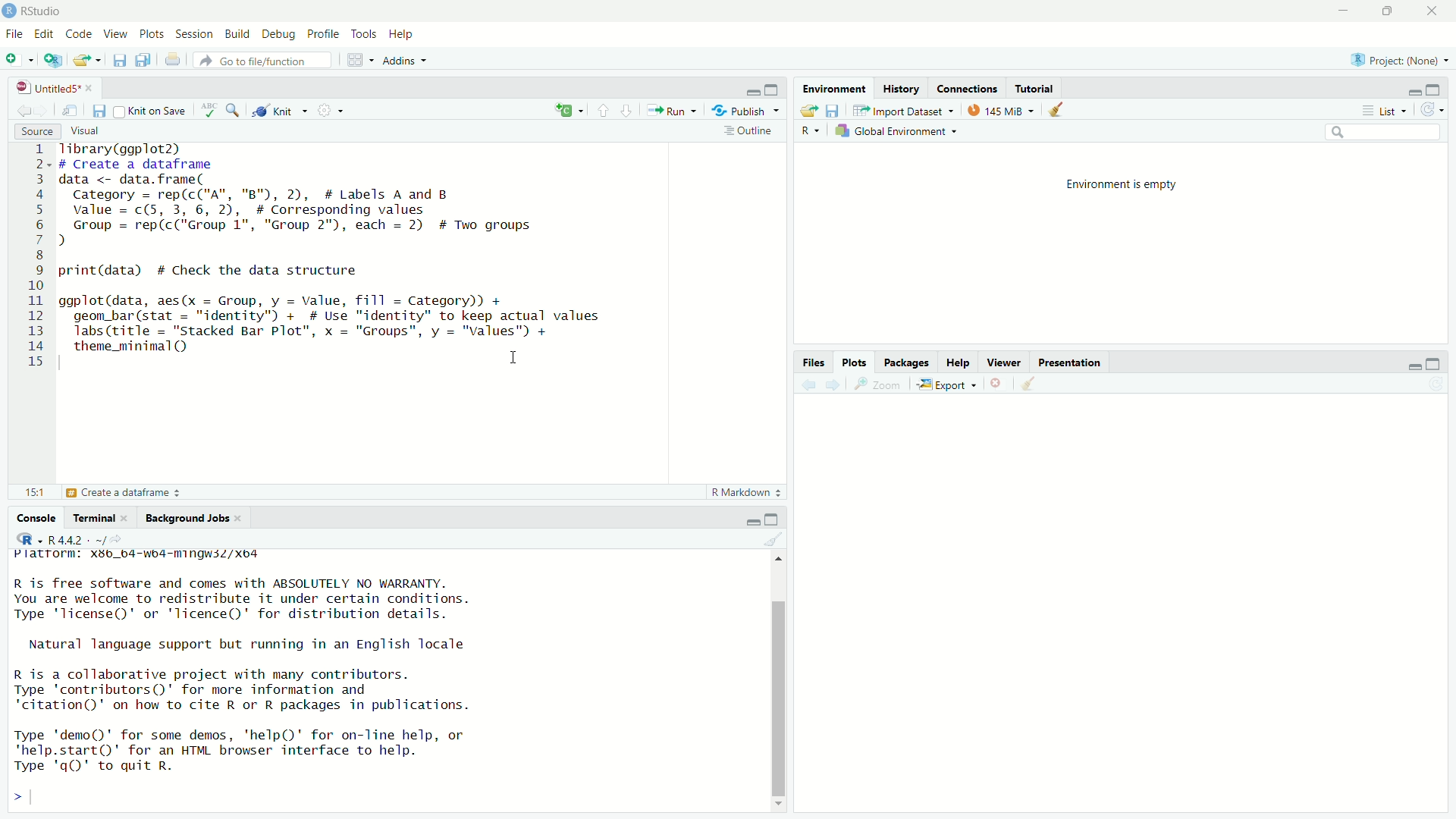 The width and height of the screenshot is (1456, 819). What do you see at coordinates (957, 360) in the screenshot?
I see `Help` at bounding box center [957, 360].